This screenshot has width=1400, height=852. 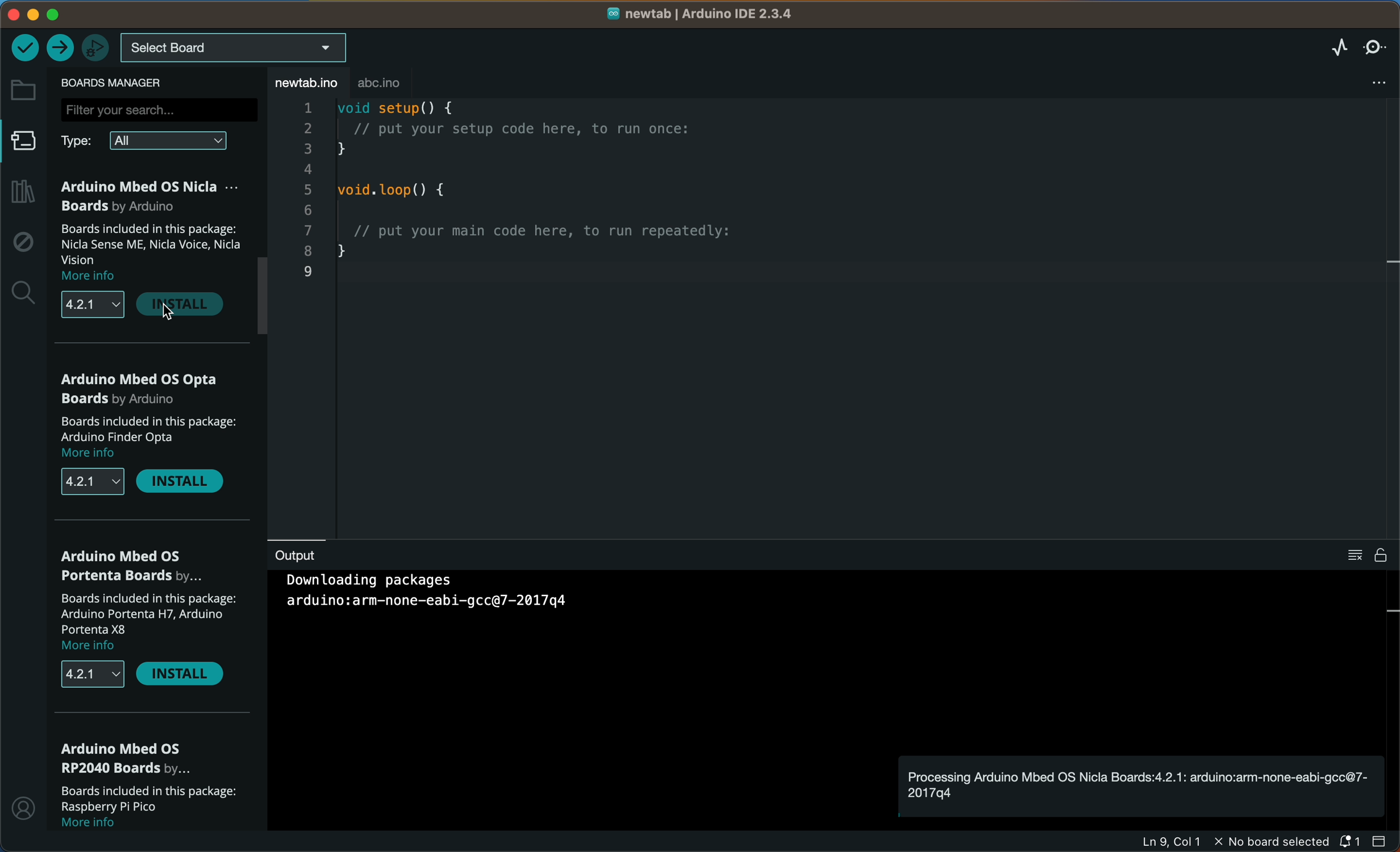 What do you see at coordinates (23, 91) in the screenshot?
I see `folder` at bounding box center [23, 91].